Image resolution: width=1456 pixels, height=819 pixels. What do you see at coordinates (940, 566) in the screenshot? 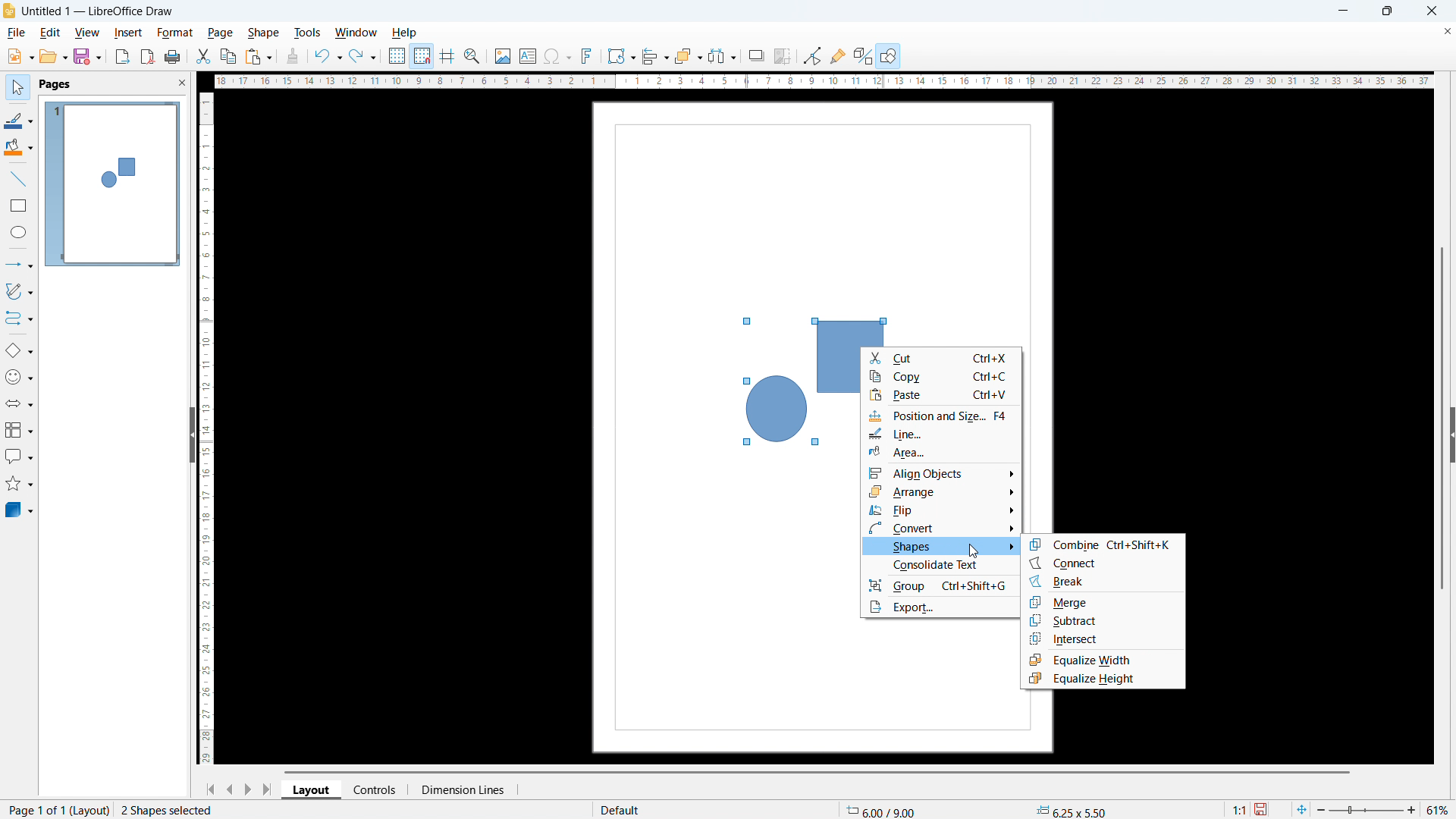
I see `consolidate text` at bounding box center [940, 566].